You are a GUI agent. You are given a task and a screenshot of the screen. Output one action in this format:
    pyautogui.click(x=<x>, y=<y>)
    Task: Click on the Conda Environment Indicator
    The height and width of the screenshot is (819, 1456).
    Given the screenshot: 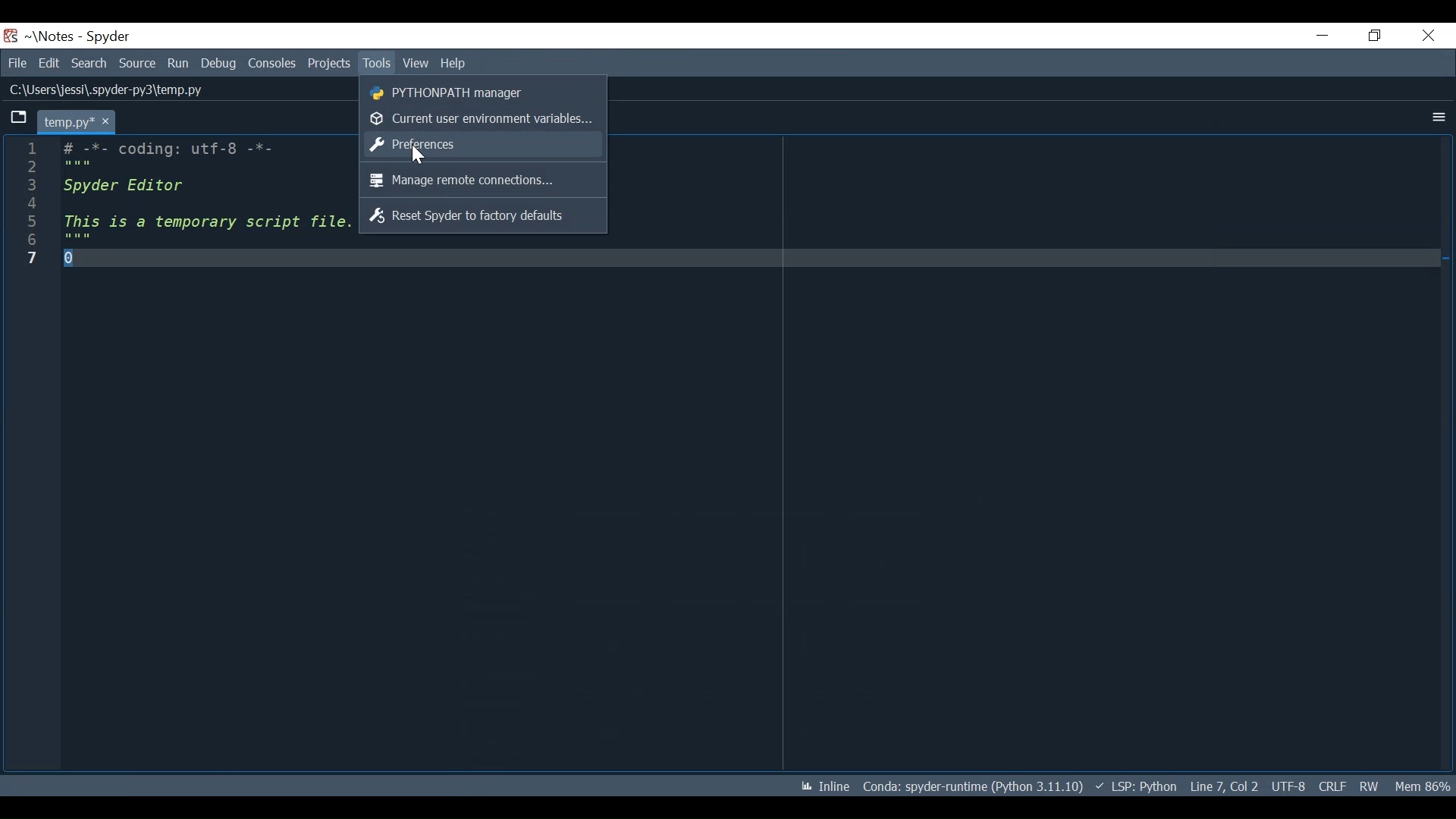 What is the action you would take?
    pyautogui.click(x=972, y=786)
    